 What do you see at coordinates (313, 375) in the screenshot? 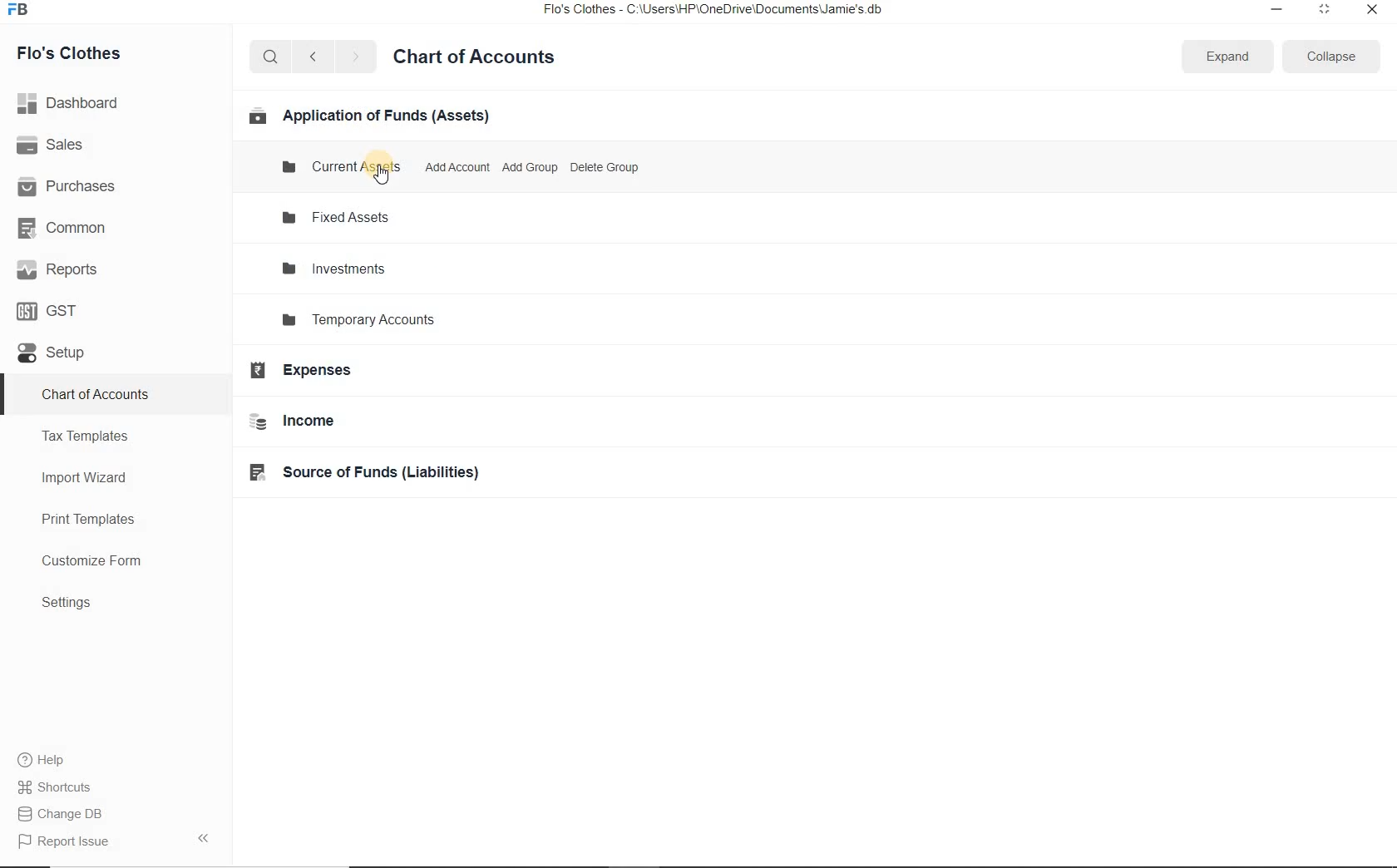
I see `Expenses` at bounding box center [313, 375].